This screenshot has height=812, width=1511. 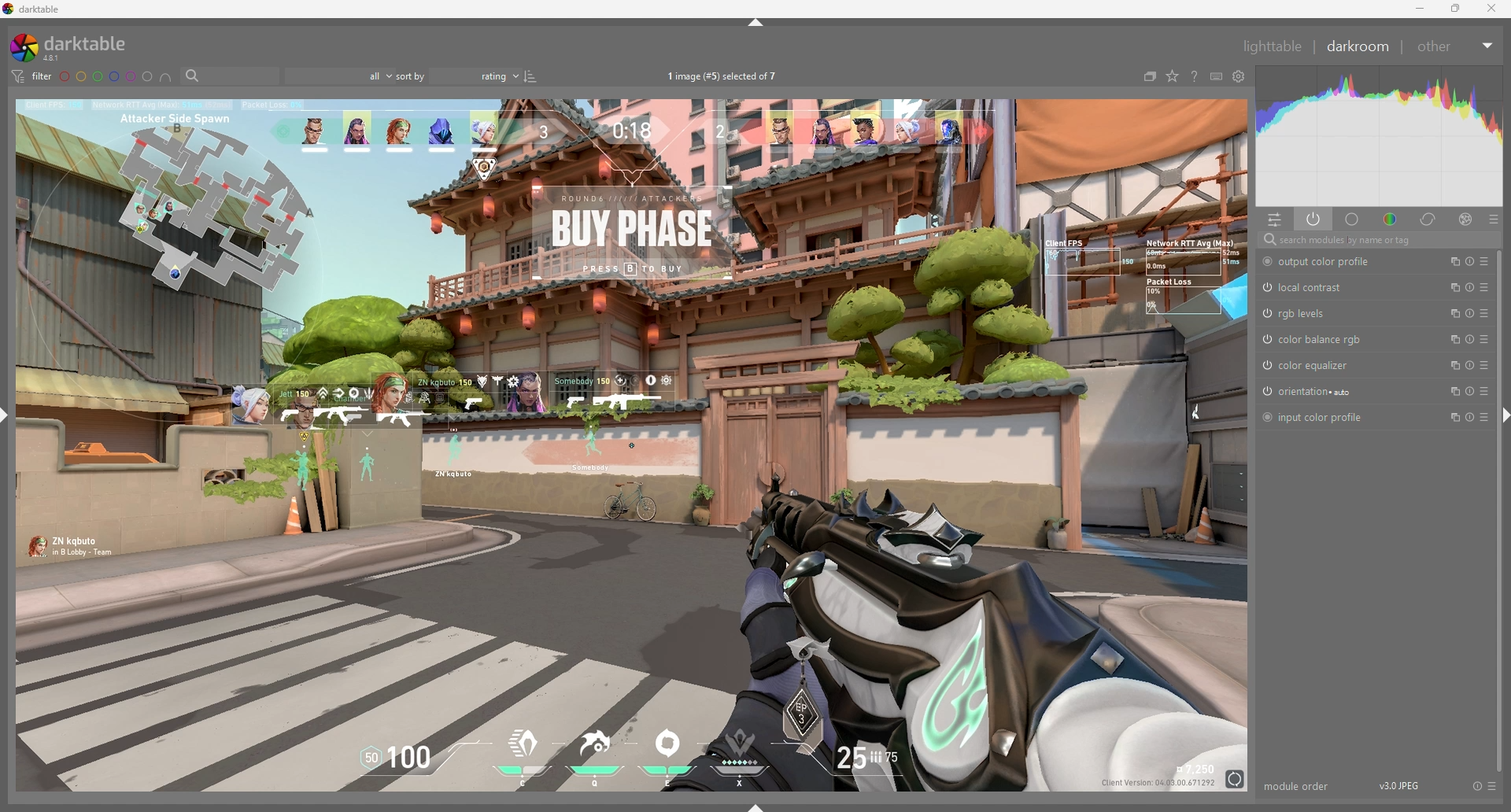 I want to click on reset, so click(x=1471, y=339).